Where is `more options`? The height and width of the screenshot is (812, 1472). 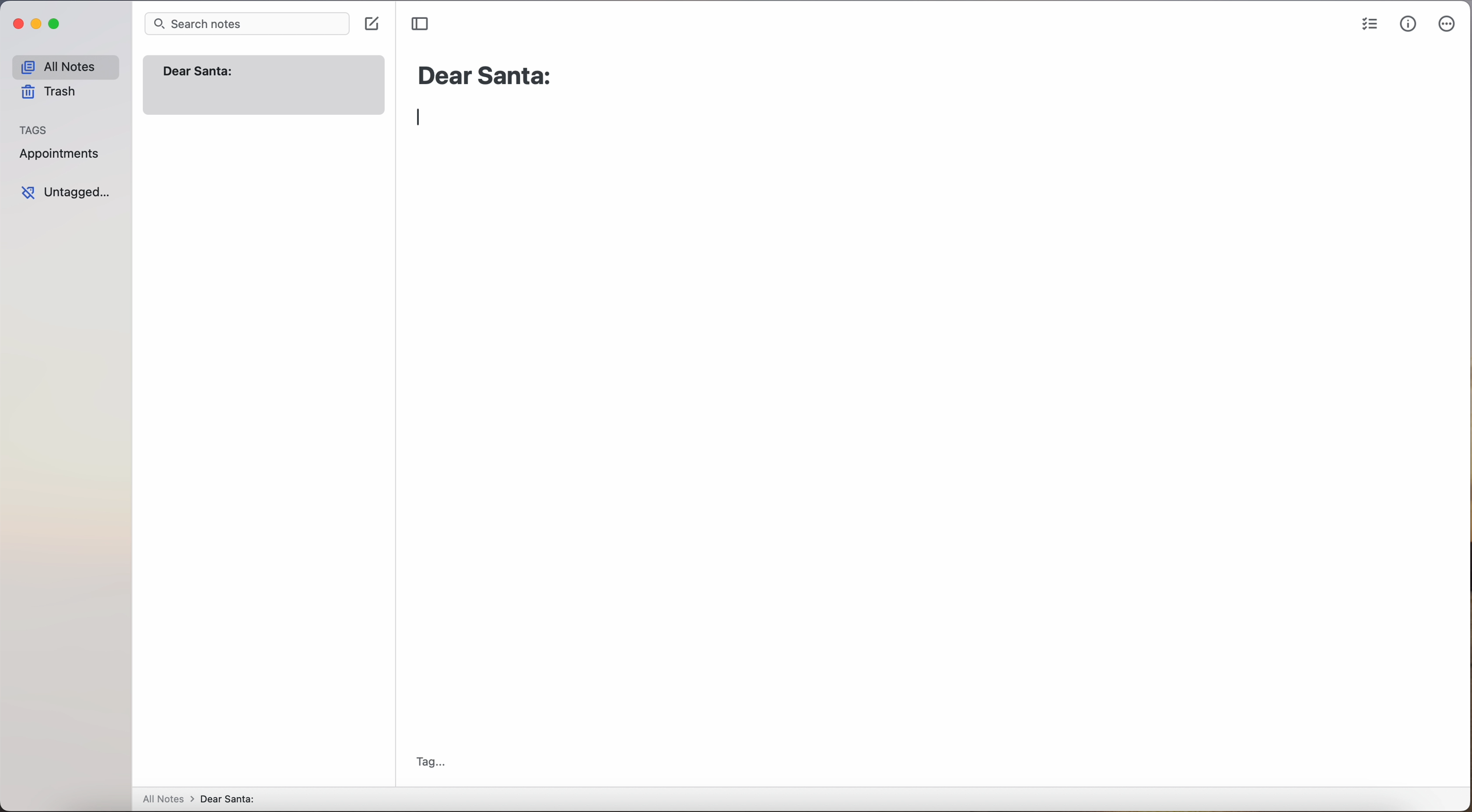 more options is located at coordinates (1449, 23).